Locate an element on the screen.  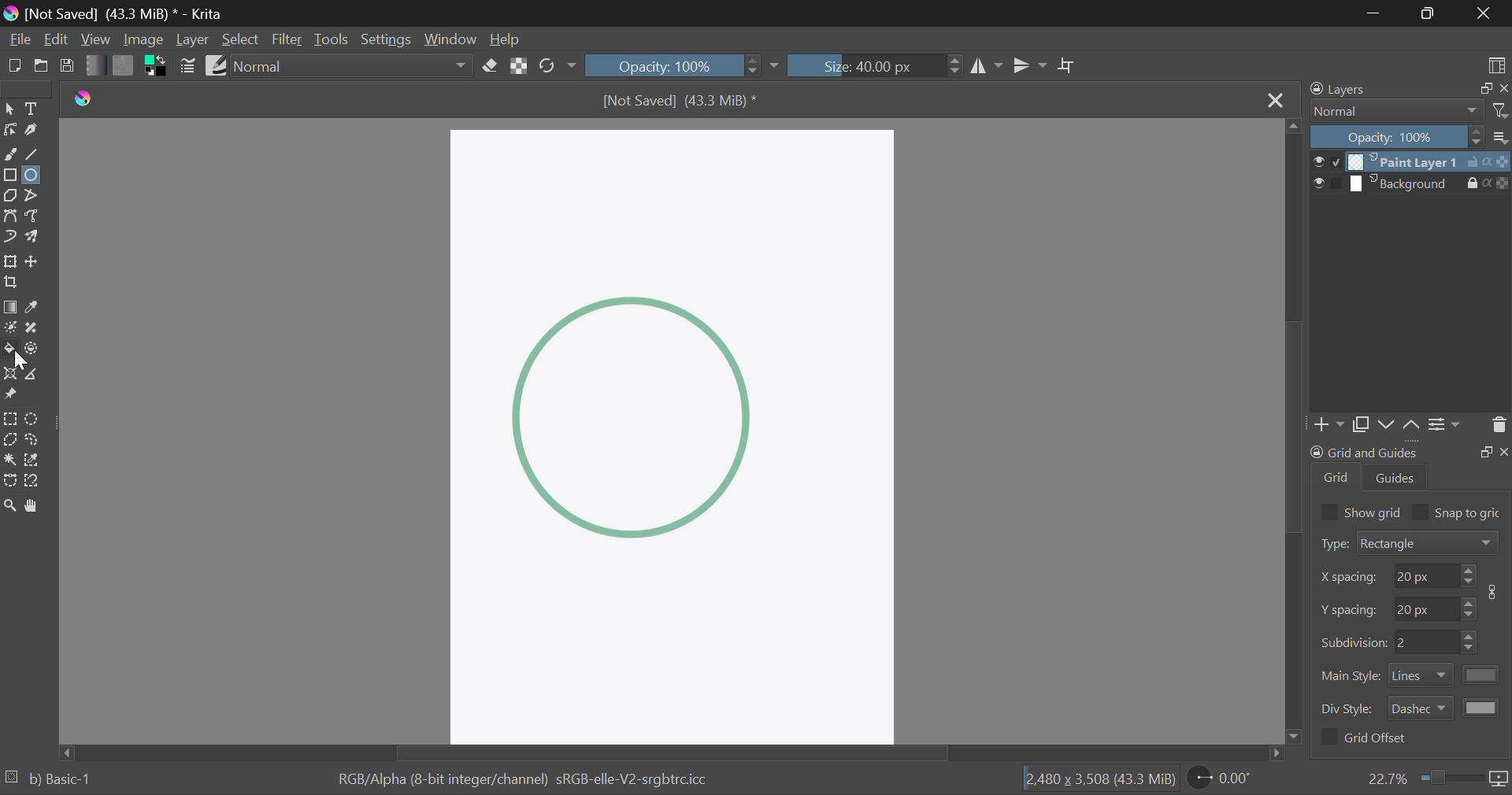
Gradient Fill is located at coordinates (11, 307).